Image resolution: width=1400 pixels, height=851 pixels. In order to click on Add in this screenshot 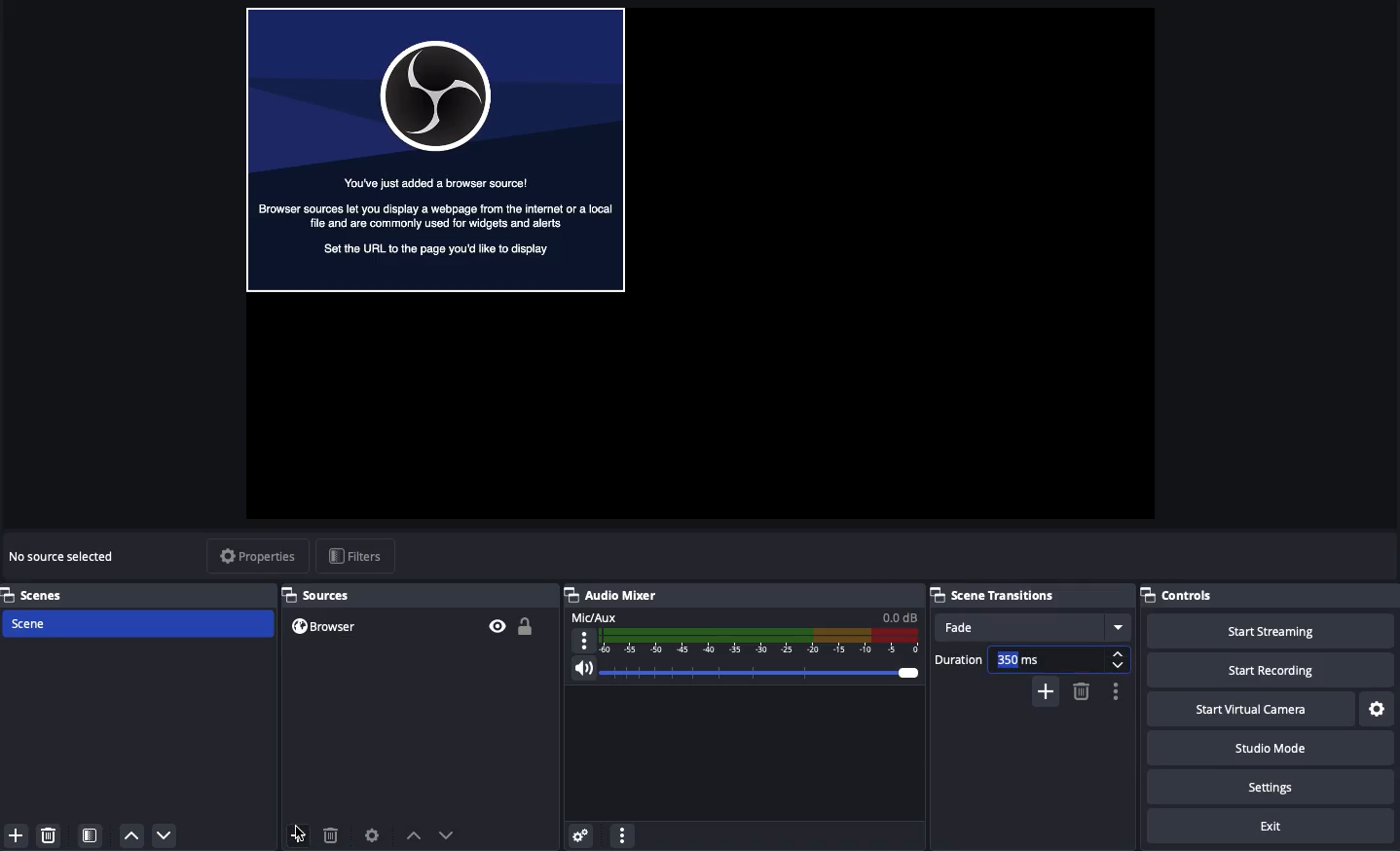, I will do `click(1045, 692)`.